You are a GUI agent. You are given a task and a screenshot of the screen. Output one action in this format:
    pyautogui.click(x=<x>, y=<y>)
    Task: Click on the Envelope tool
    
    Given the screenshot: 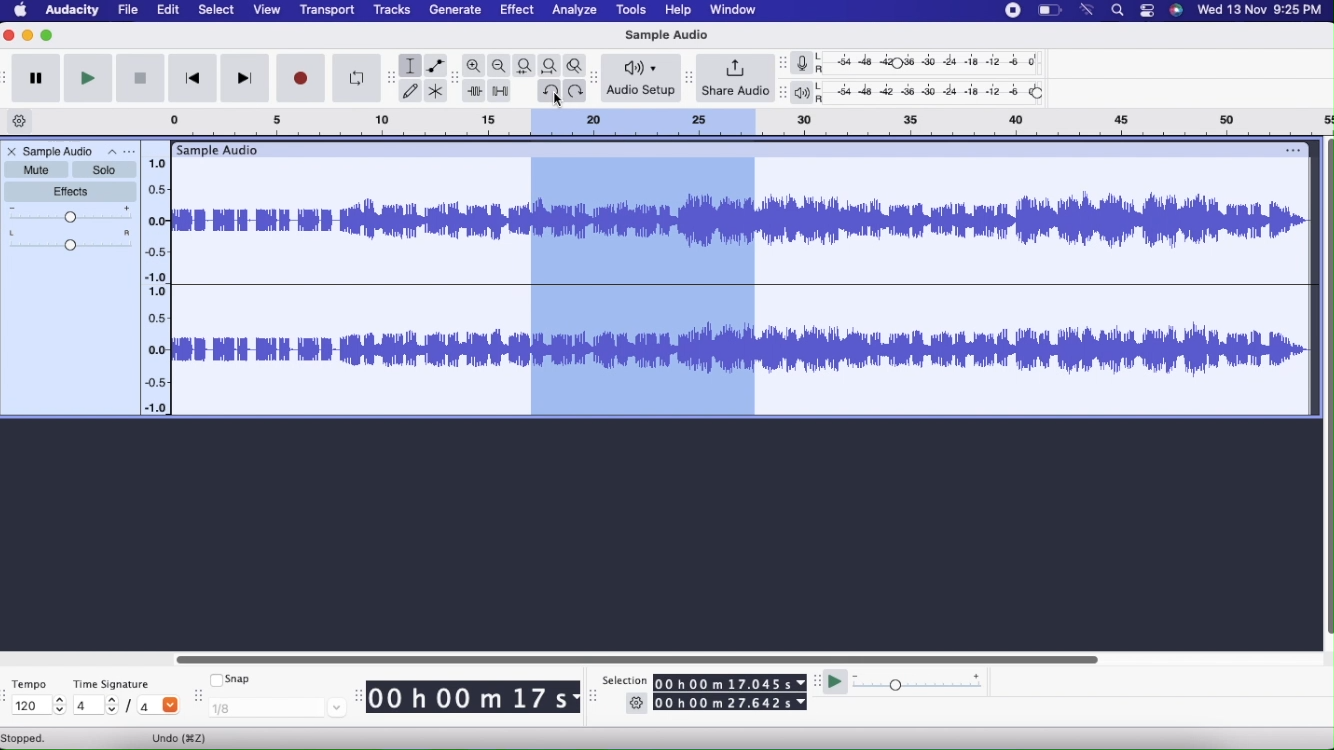 What is the action you would take?
    pyautogui.click(x=437, y=66)
    